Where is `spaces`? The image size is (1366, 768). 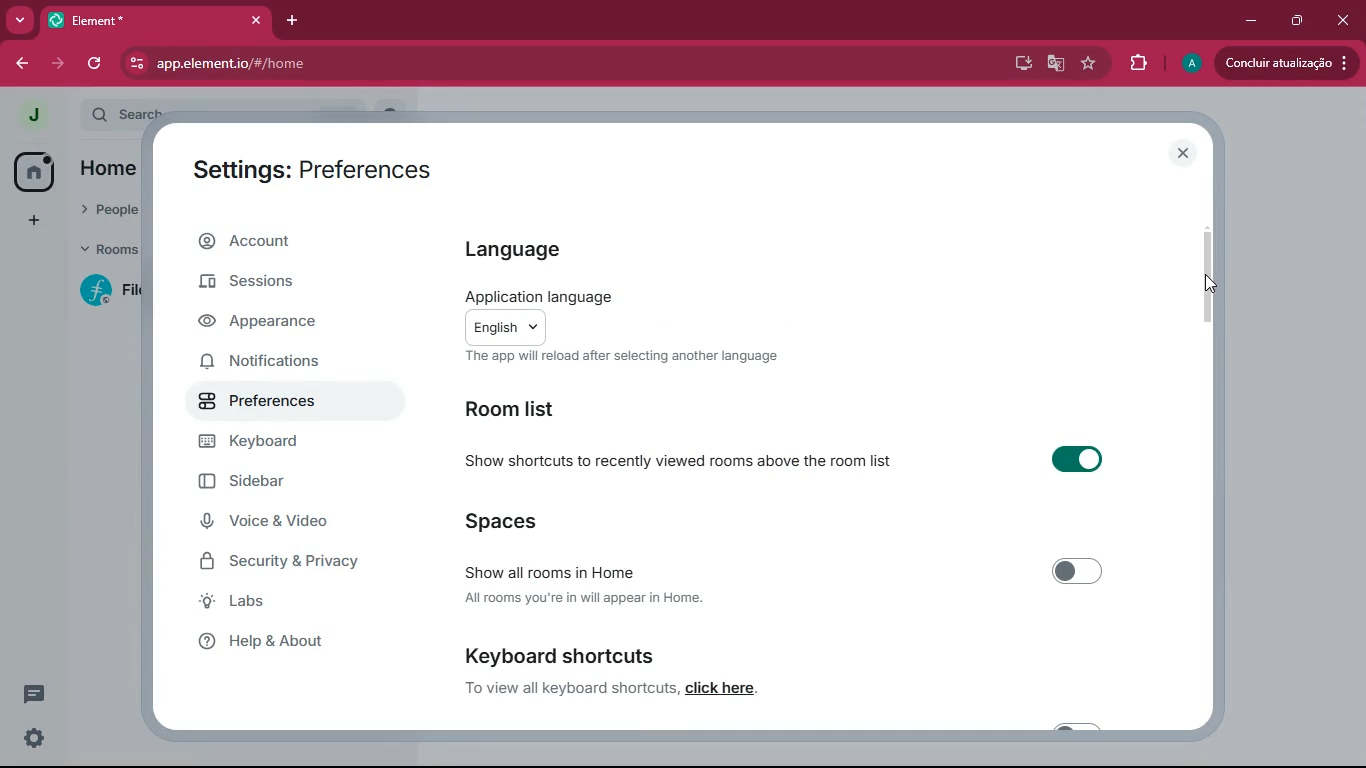
spaces is located at coordinates (517, 523).